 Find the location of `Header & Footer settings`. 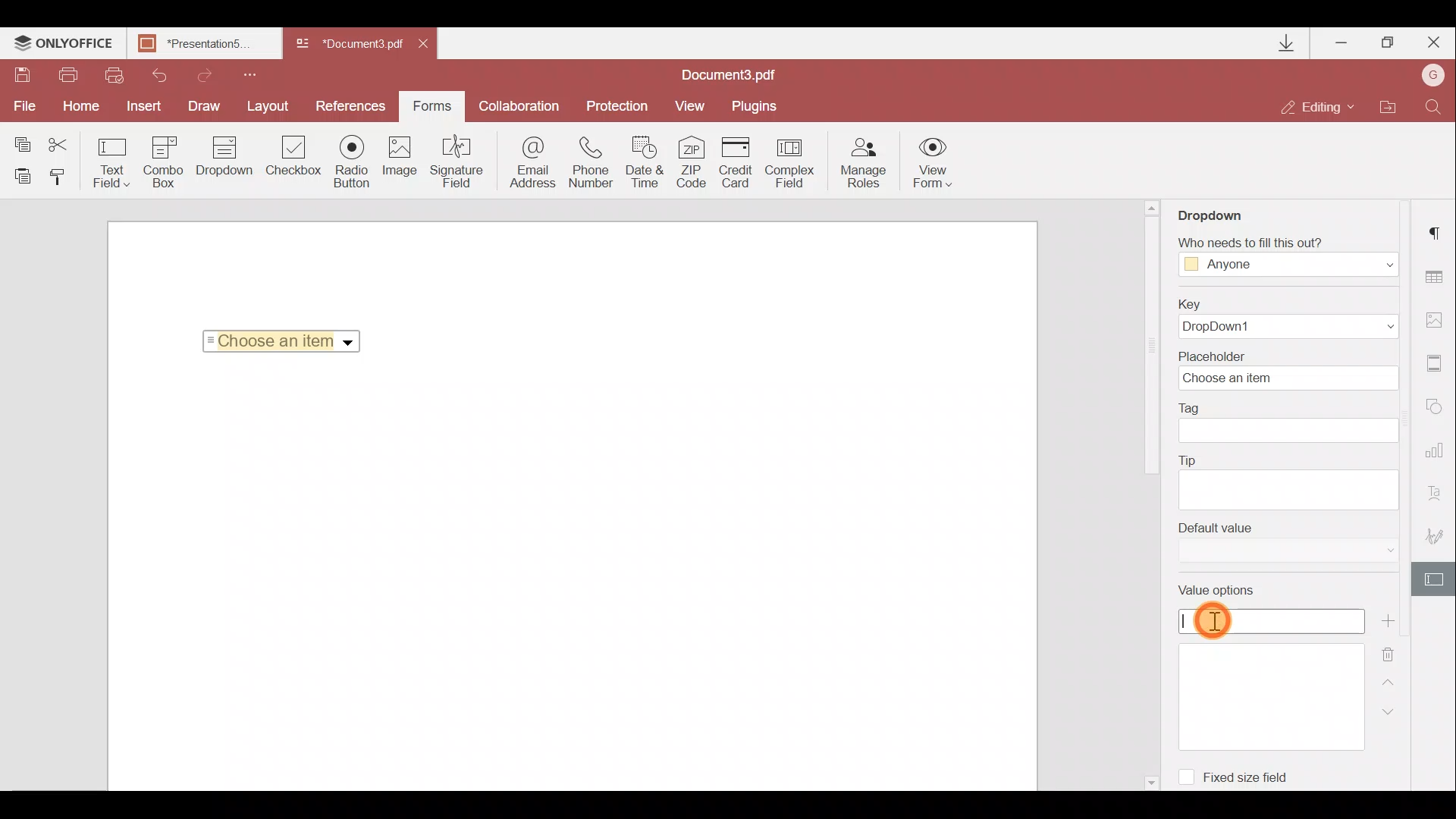

Header & Footer settings is located at coordinates (1438, 366).